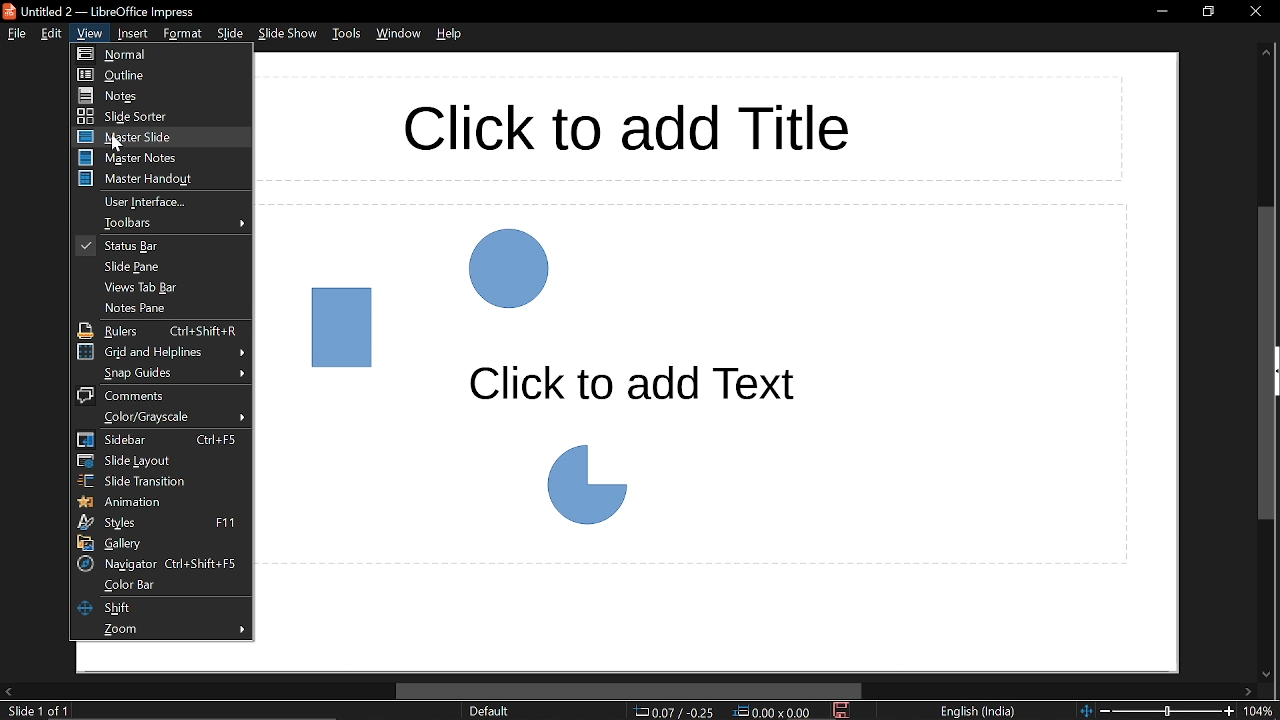  Describe the element at coordinates (159, 351) in the screenshot. I see `Grid and helplines` at that location.